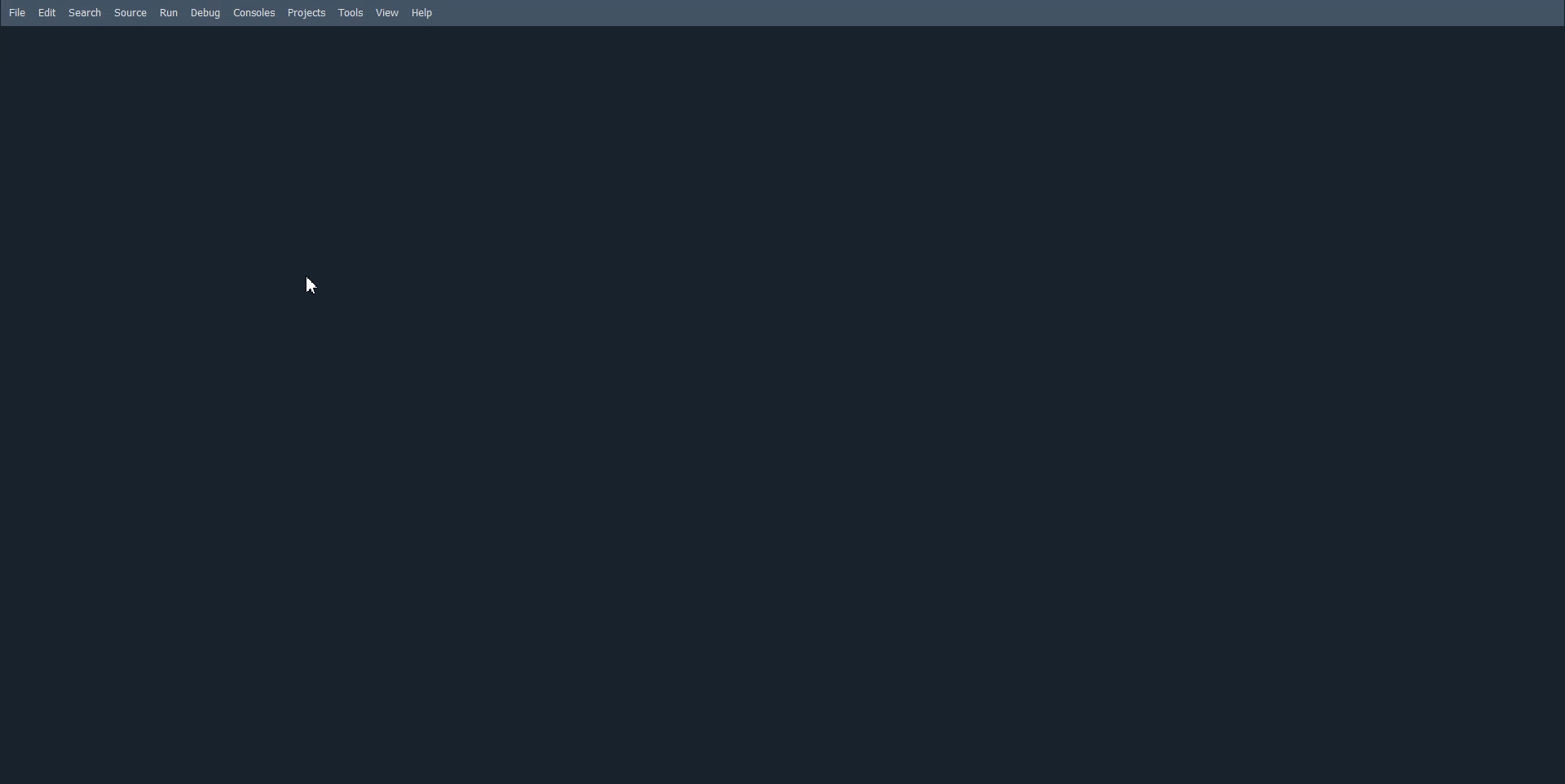 This screenshot has height=784, width=1565. Describe the element at coordinates (86, 13) in the screenshot. I see `Search` at that location.